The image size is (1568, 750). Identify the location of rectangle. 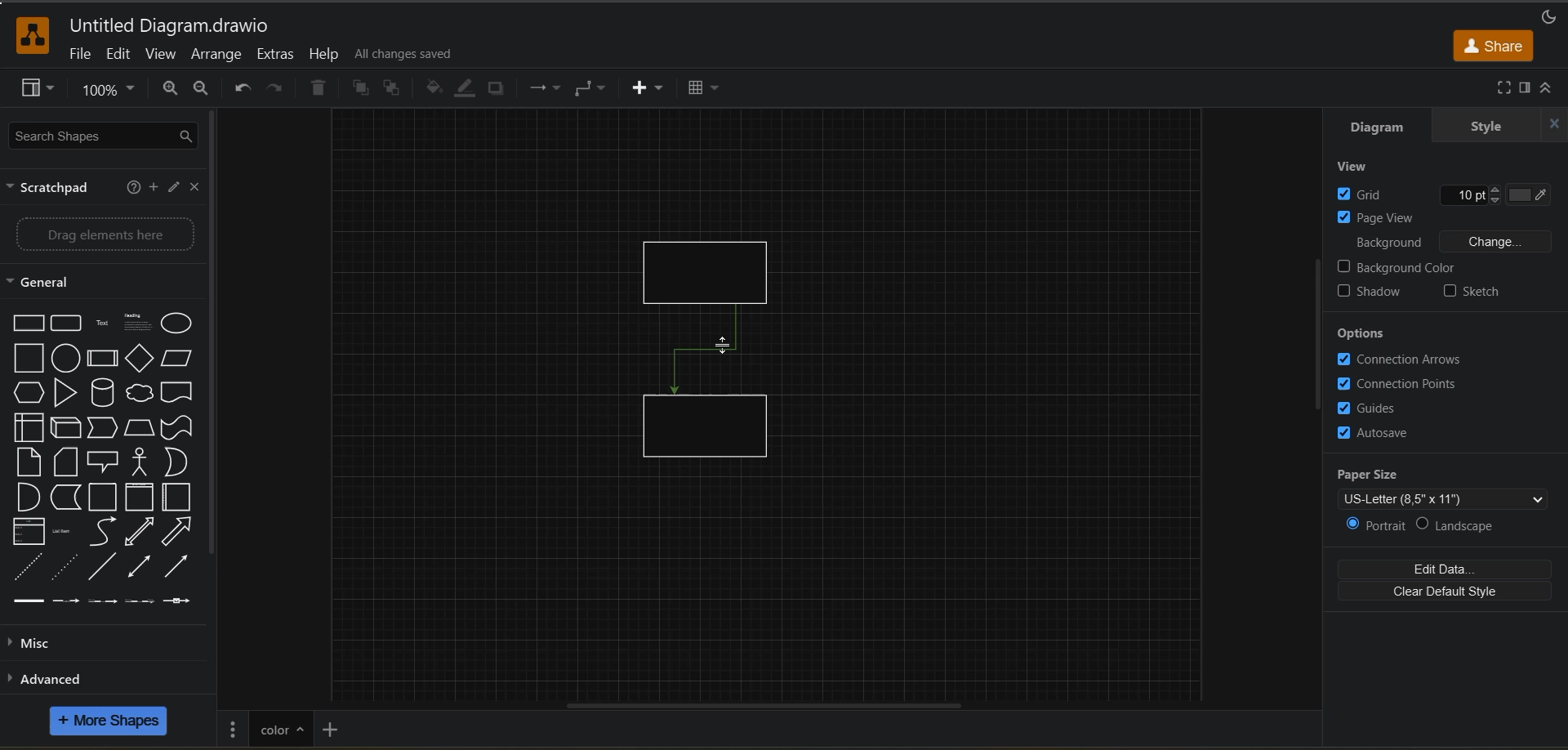
(708, 427).